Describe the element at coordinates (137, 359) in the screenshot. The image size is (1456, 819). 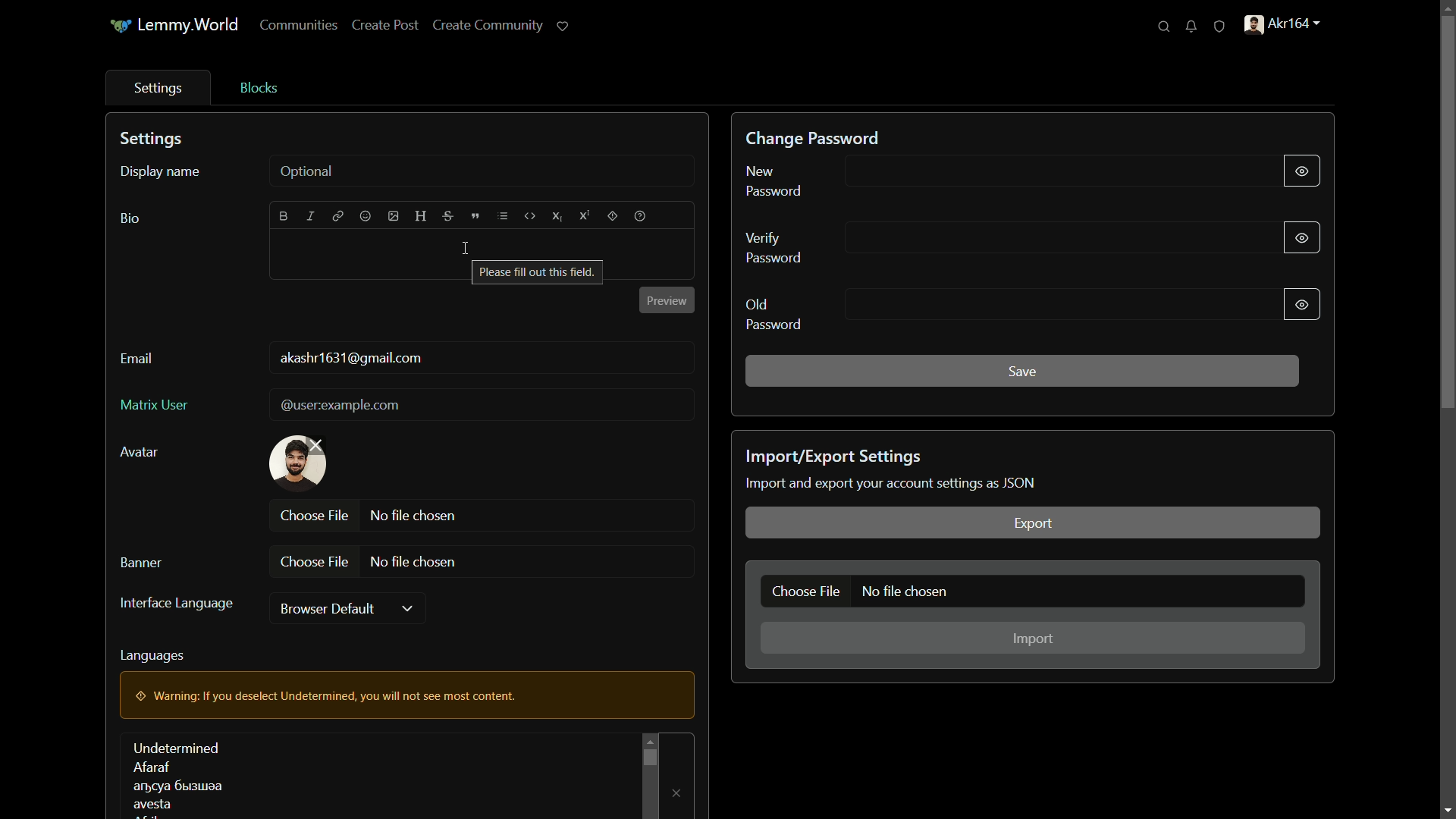
I see `email` at that location.